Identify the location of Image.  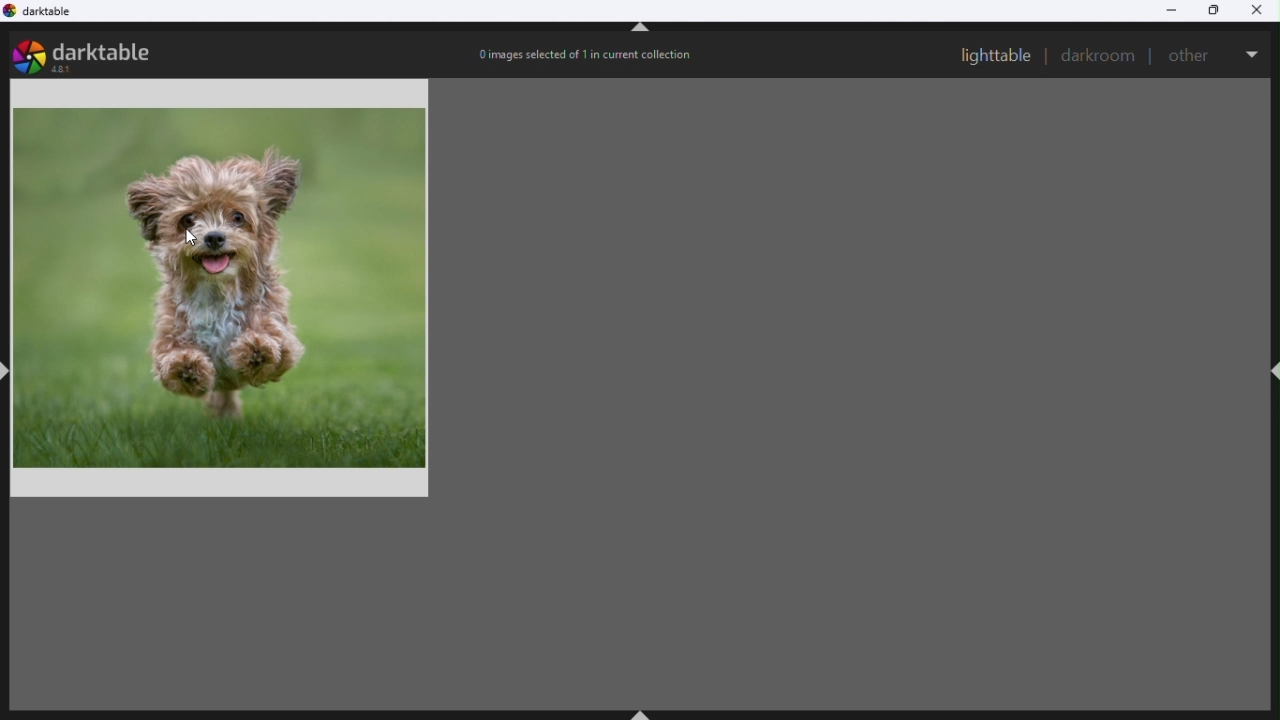
(223, 293).